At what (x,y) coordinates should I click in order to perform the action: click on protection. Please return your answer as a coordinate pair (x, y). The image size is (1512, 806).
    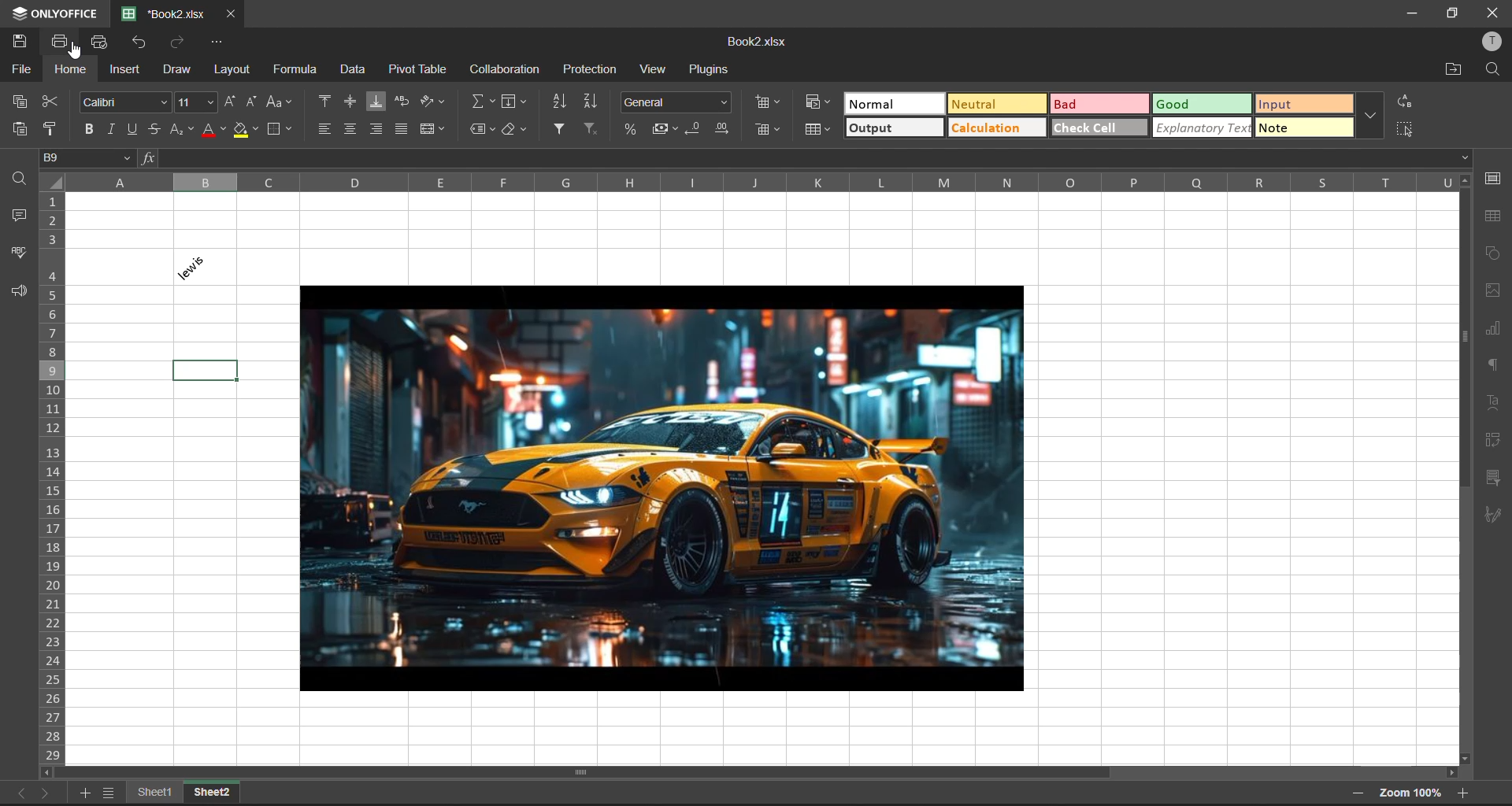
    Looking at the image, I should click on (589, 72).